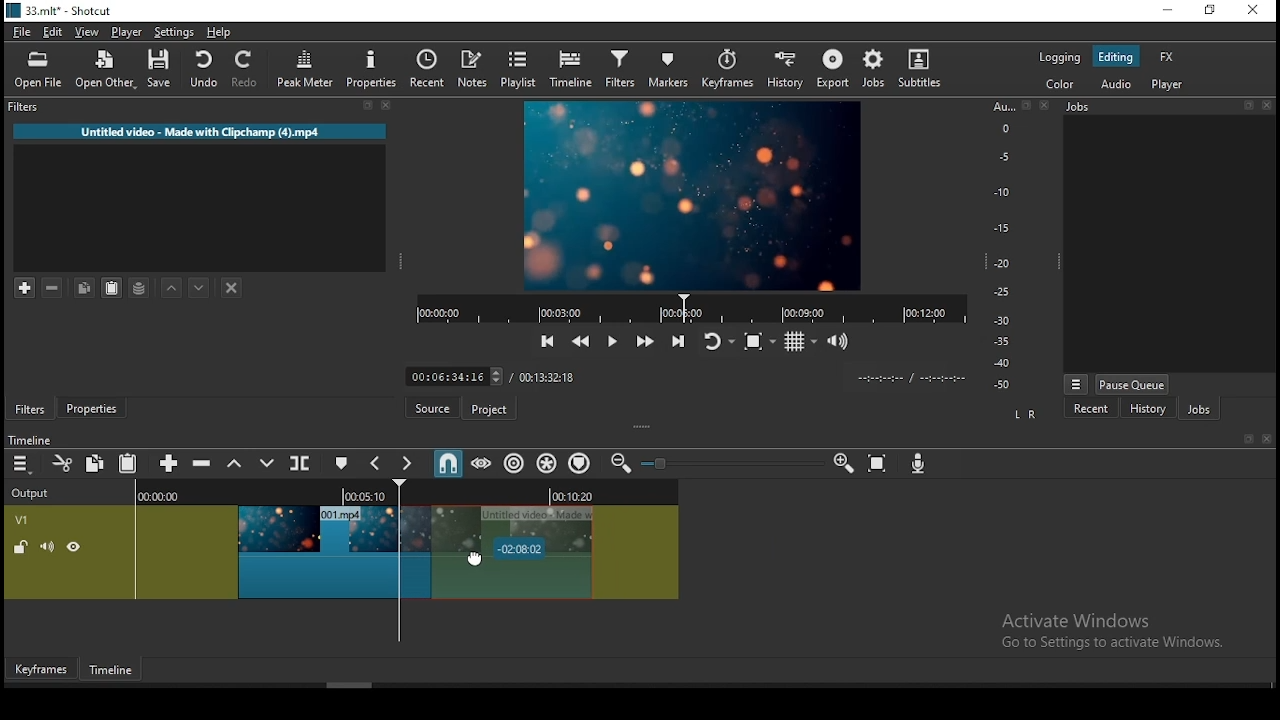 The height and width of the screenshot is (720, 1280). Describe the element at coordinates (1091, 408) in the screenshot. I see `recent` at that location.